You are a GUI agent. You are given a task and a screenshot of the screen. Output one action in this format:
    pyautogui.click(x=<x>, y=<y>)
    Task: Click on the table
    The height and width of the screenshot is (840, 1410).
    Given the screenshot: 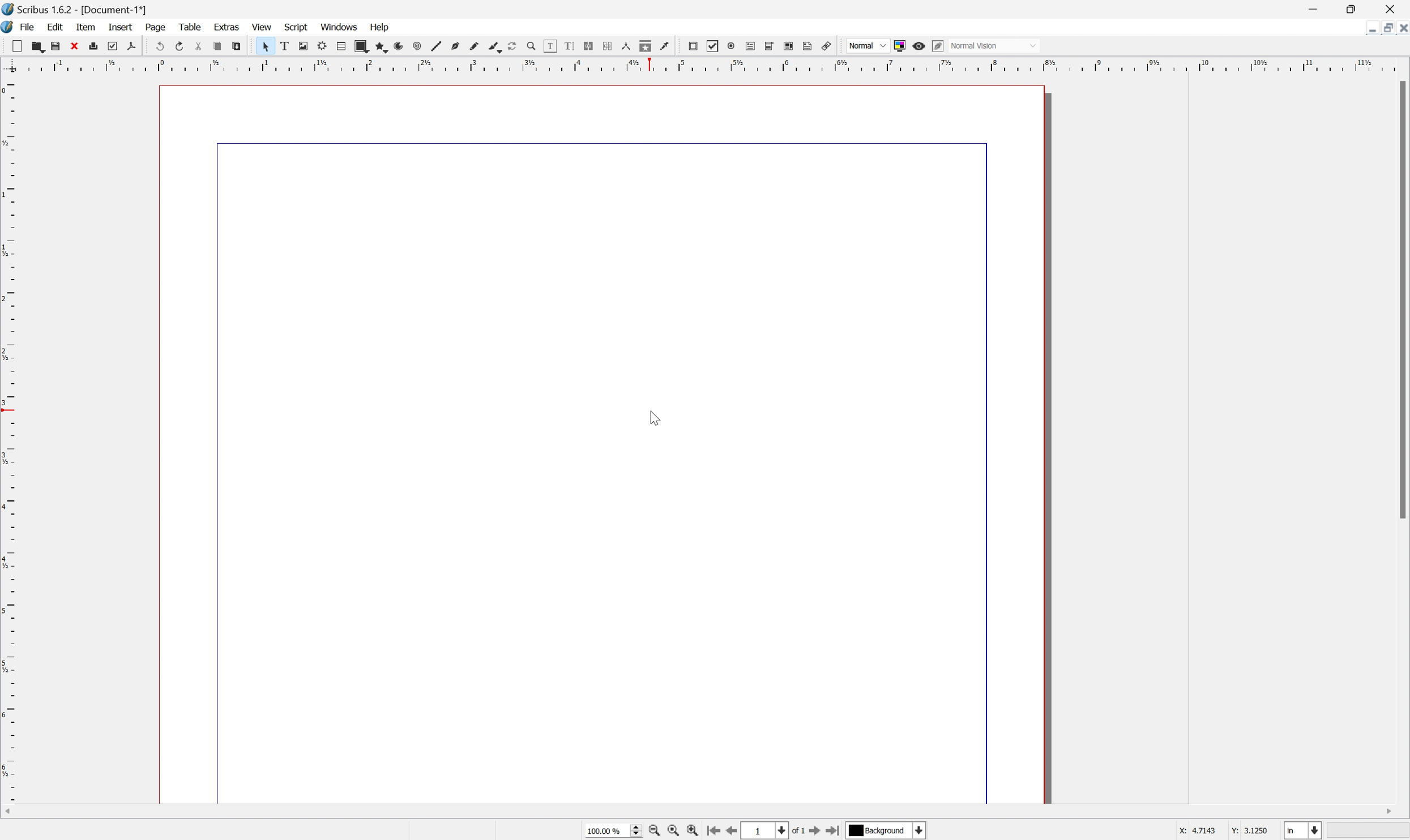 What is the action you would take?
    pyautogui.click(x=341, y=44)
    